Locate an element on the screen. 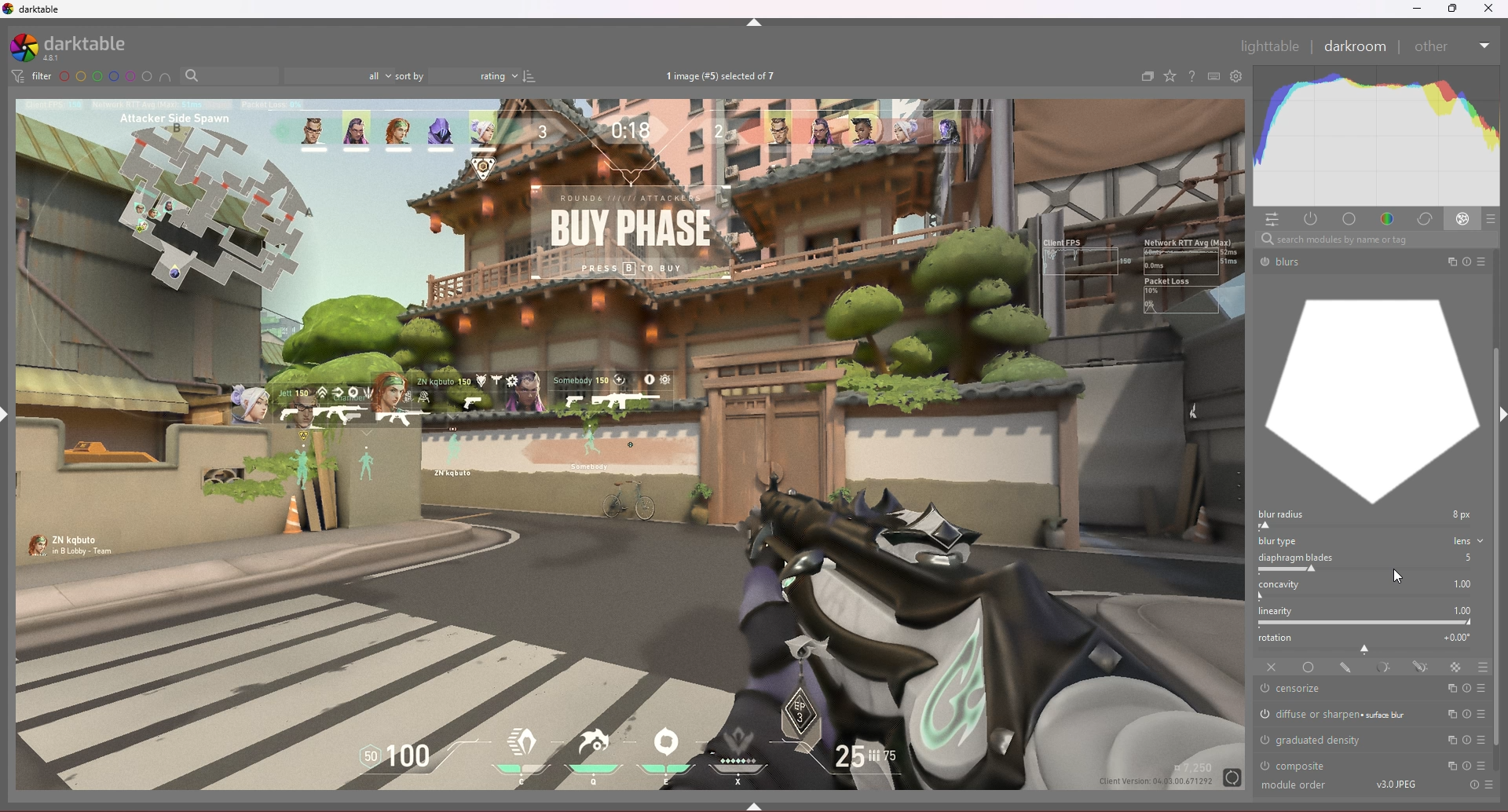 The width and height of the screenshot is (1508, 812). concavity is located at coordinates (1371, 590).